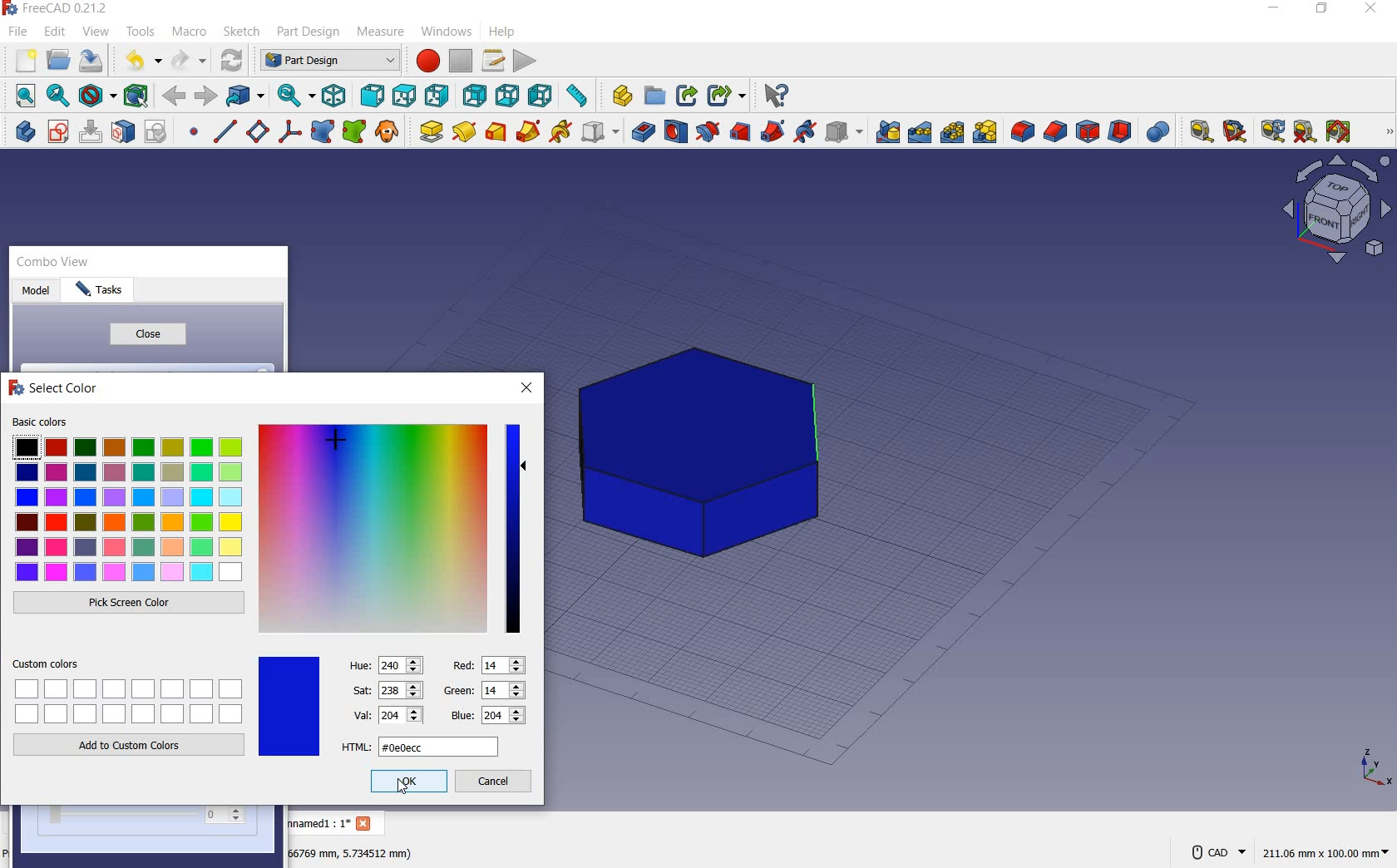  I want to click on back, so click(175, 96).